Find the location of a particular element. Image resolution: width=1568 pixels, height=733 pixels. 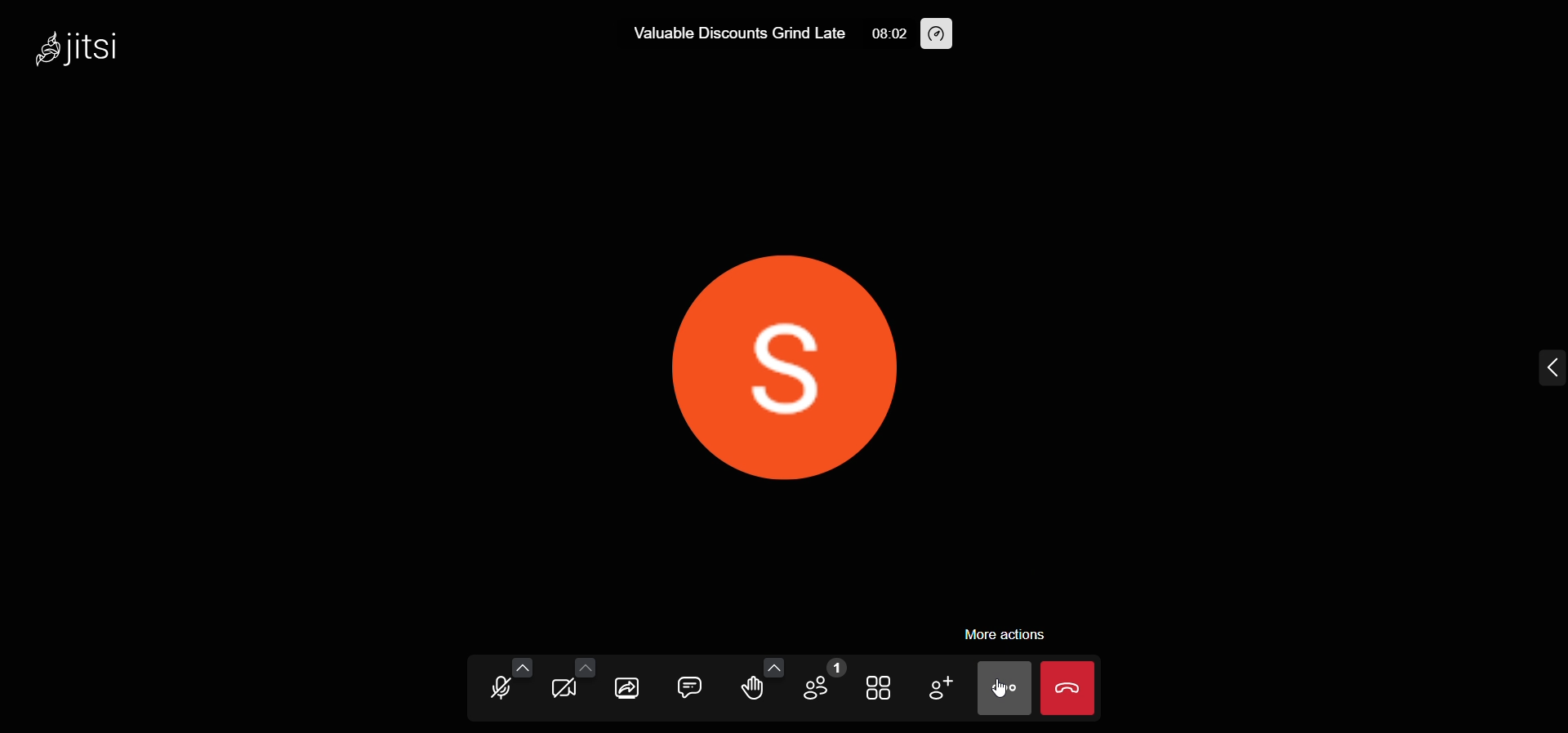

more actions is located at coordinates (1006, 634).